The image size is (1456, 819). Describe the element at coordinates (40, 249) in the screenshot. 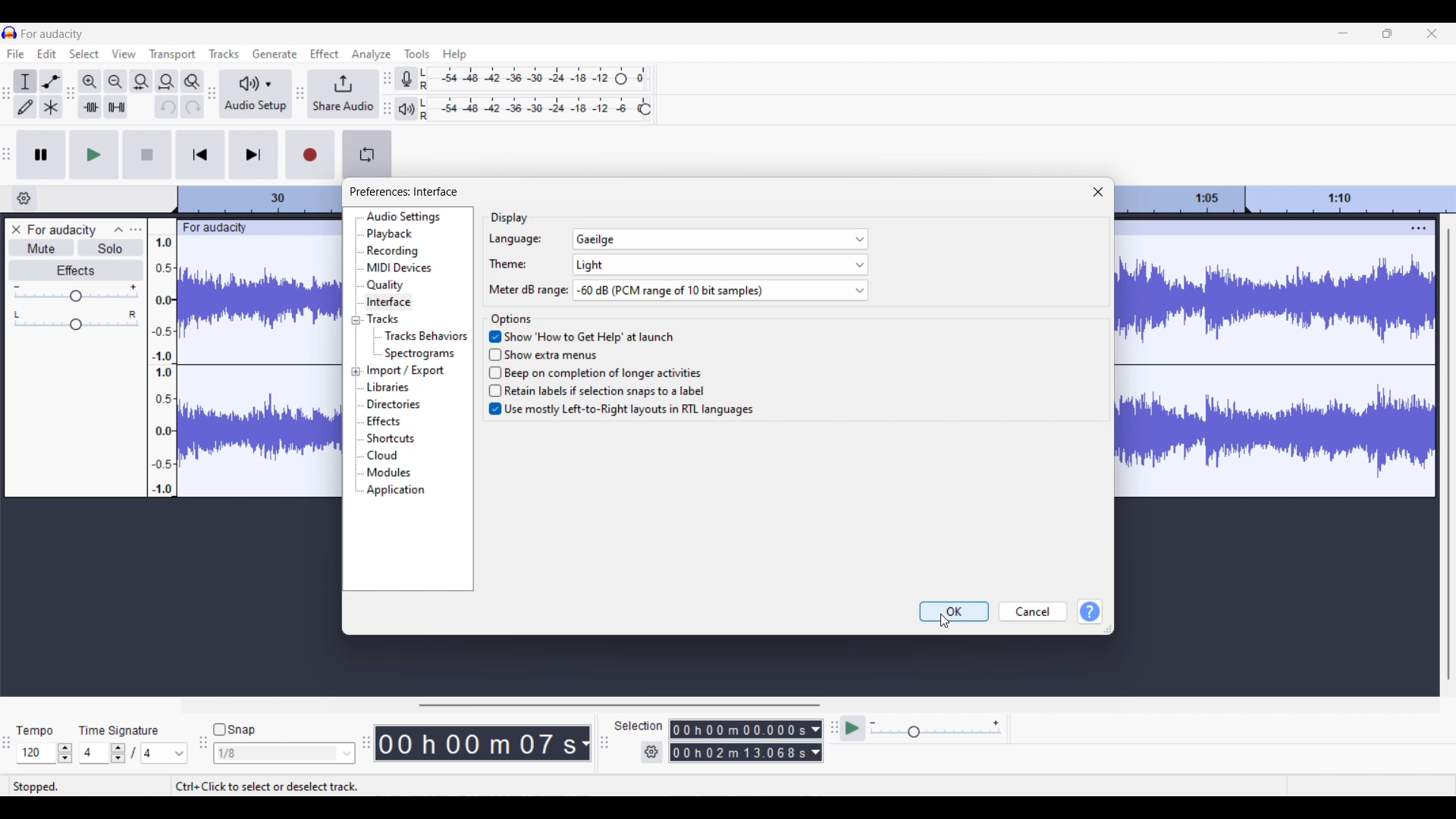

I see `Mute` at that location.